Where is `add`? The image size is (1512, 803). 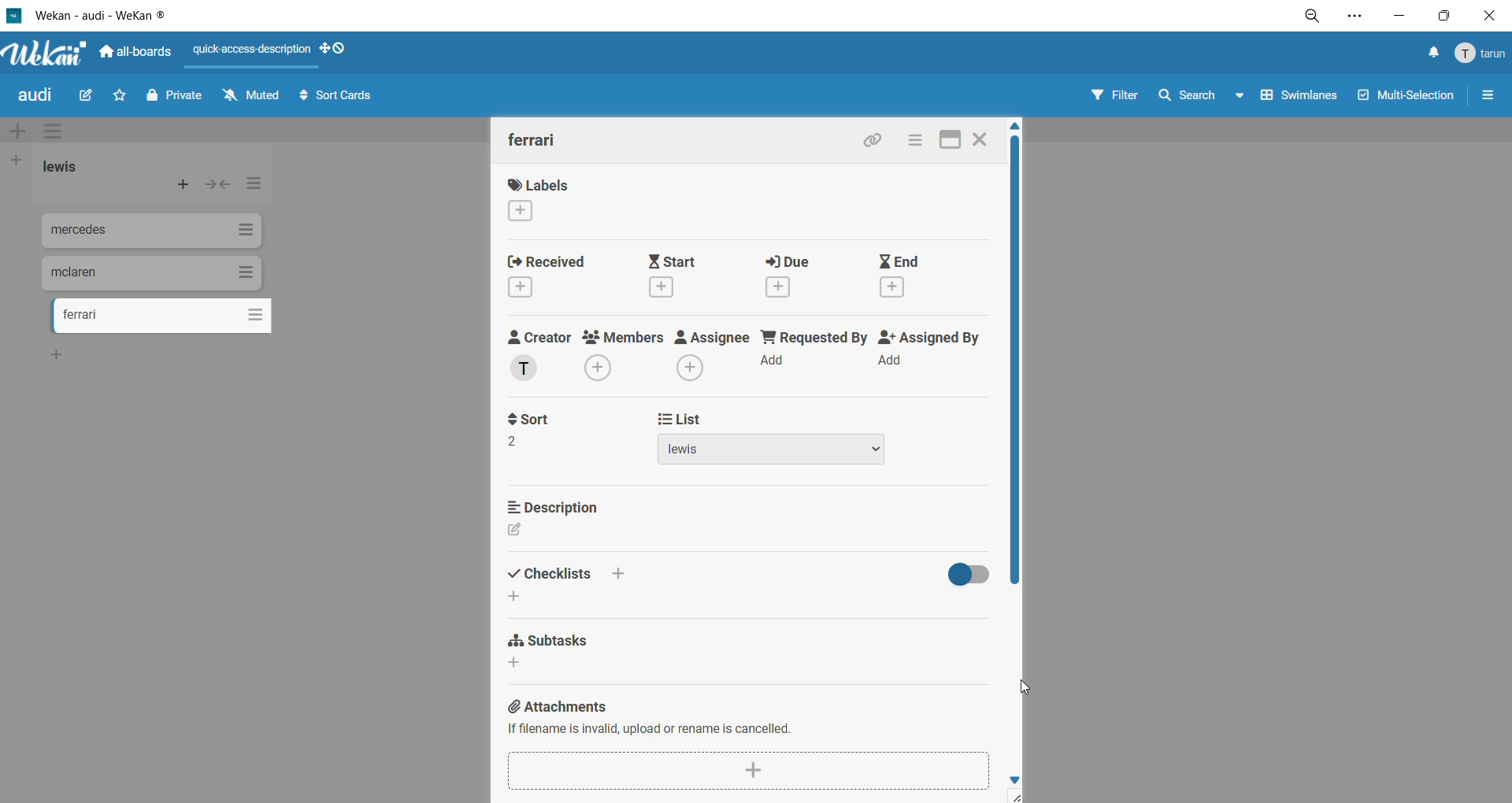
add is located at coordinates (522, 598).